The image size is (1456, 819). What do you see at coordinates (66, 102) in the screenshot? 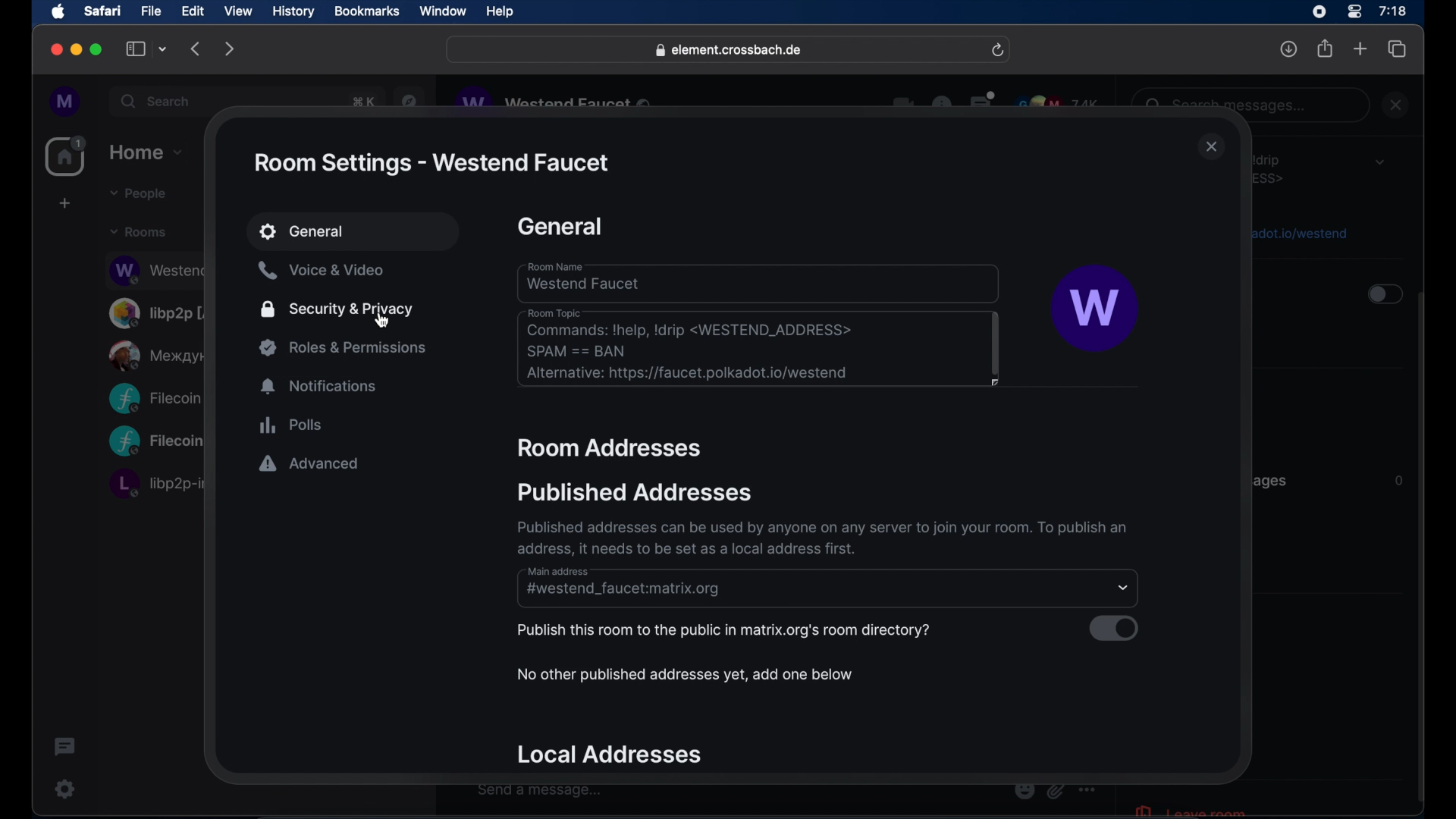
I see `profile` at bounding box center [66, 102].